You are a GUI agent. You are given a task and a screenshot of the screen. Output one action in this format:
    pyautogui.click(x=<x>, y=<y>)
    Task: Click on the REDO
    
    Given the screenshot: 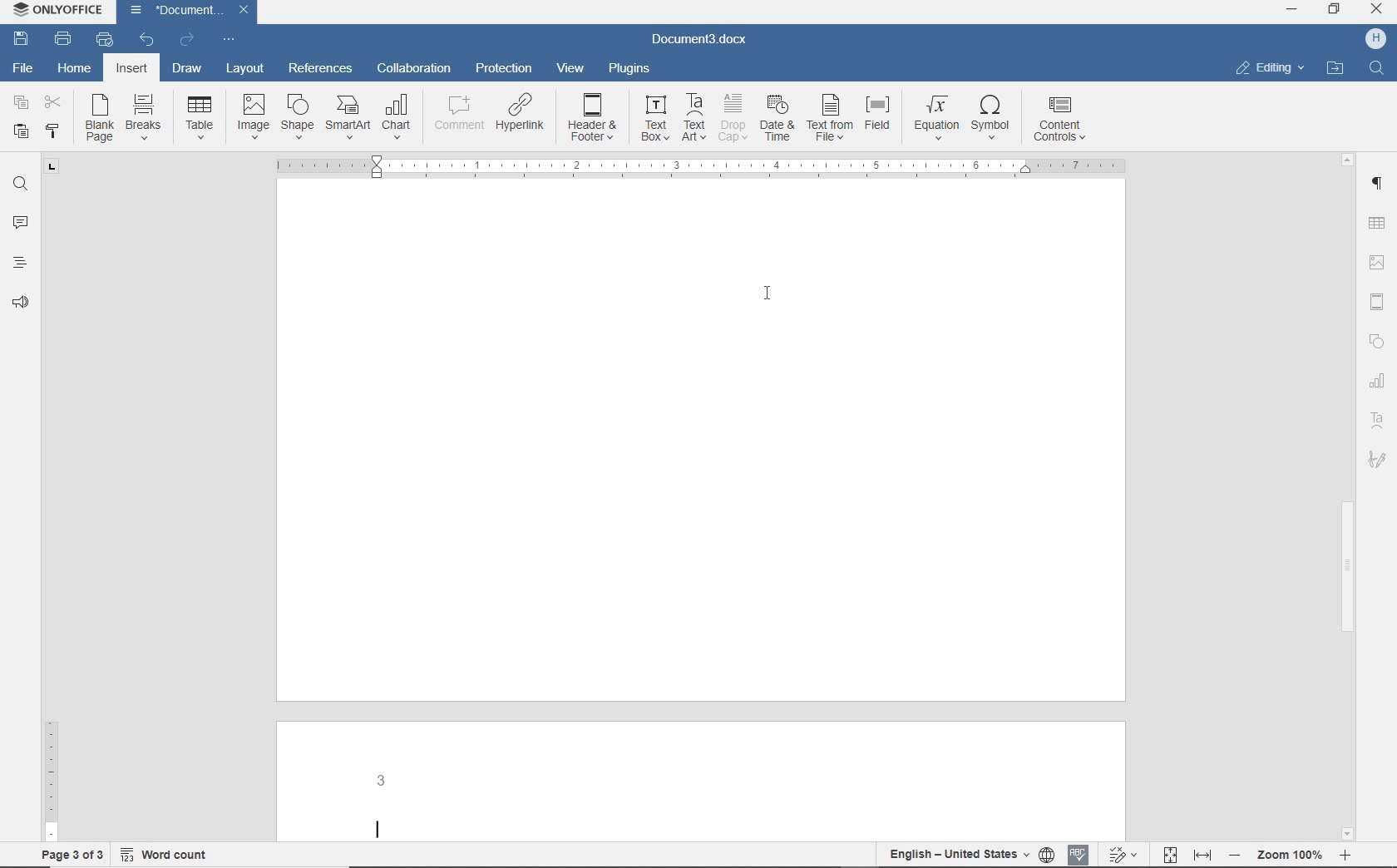 What is the action you would take?
    pyautogui.click(x=188, y=37)
    